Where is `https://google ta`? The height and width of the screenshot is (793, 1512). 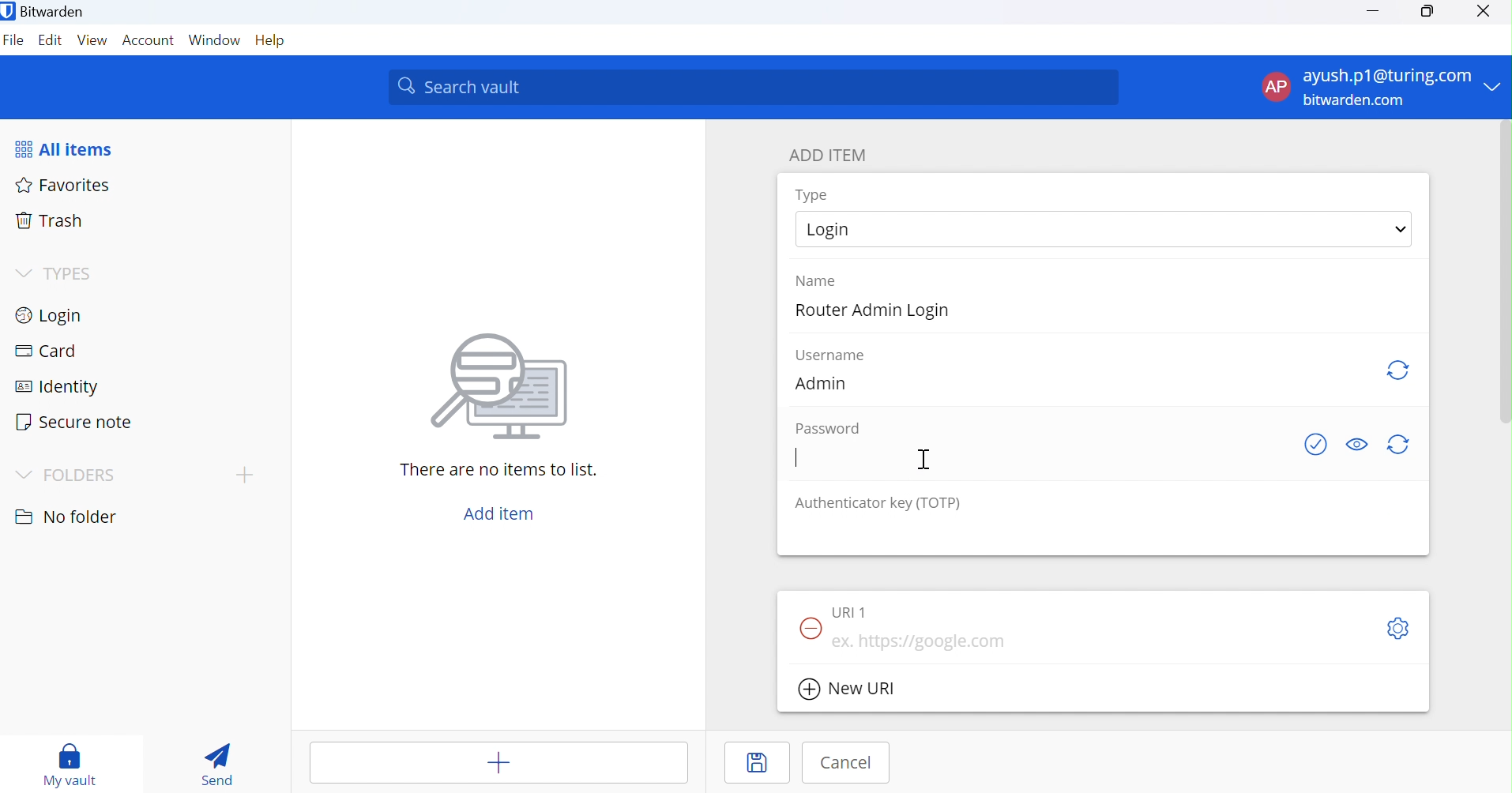
https://google ta is located at coordinates (923, 642).